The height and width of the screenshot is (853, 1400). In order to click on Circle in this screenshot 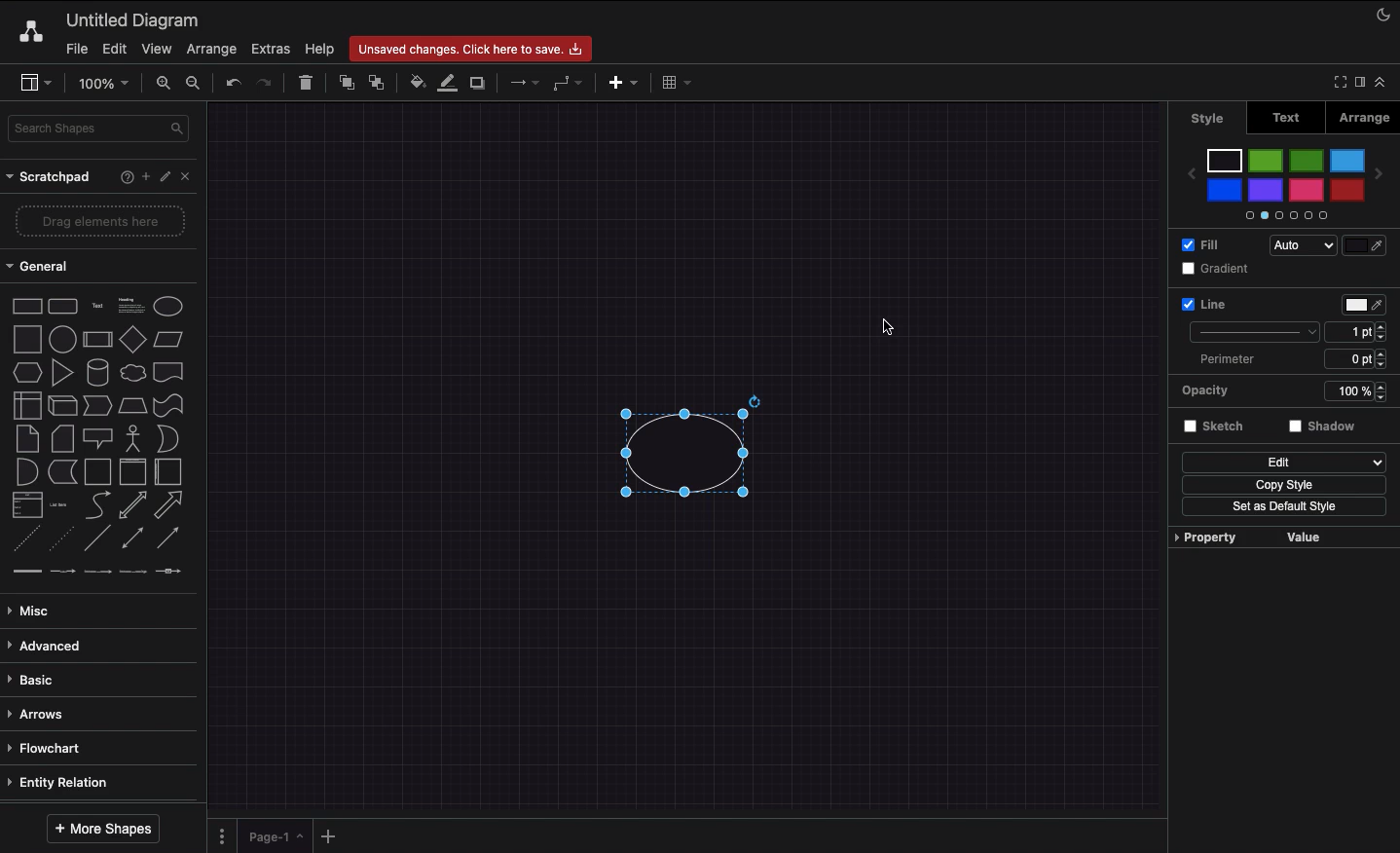, I will do `click(168, 306)`.